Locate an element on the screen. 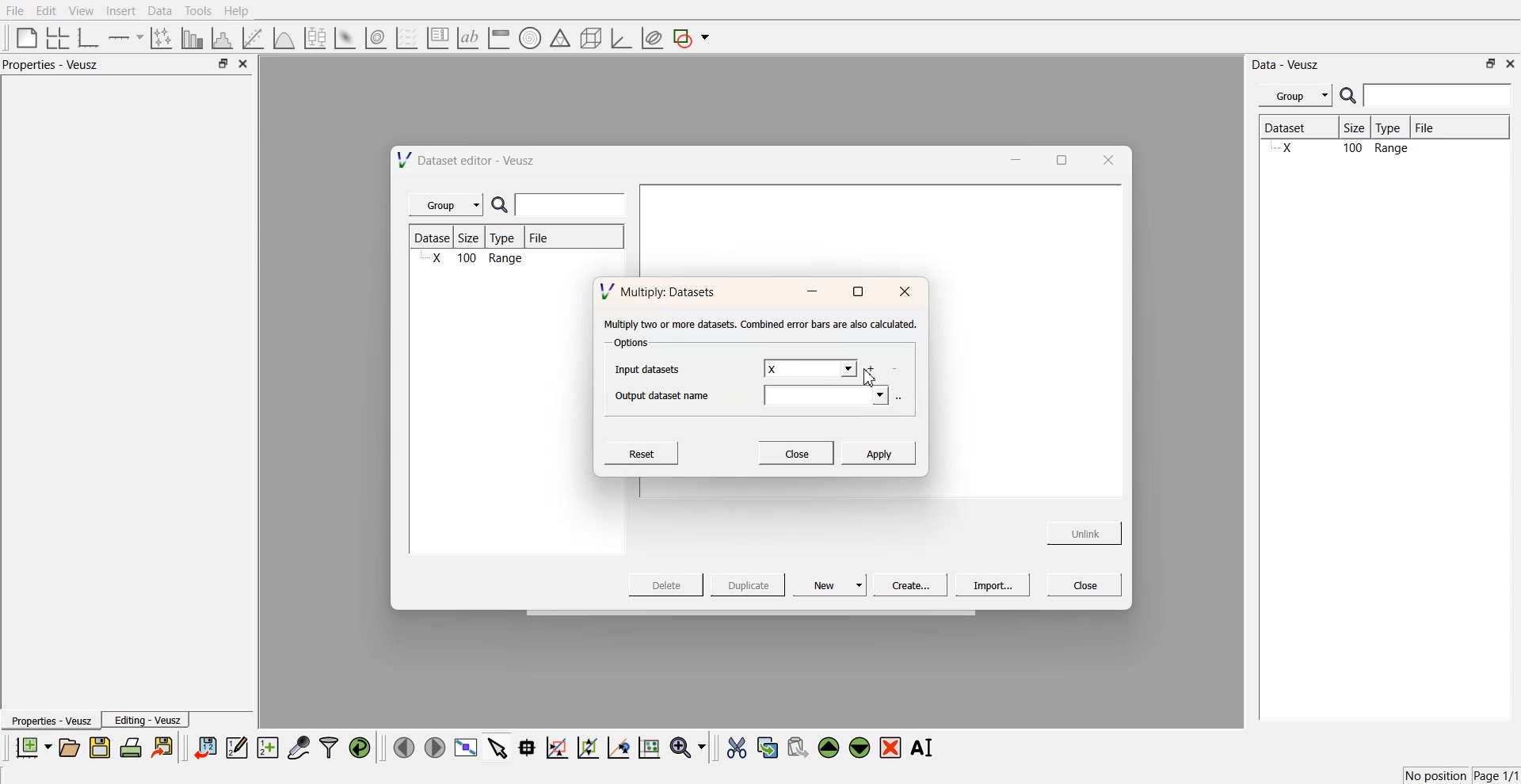 The width and height of the screenshot is (1521, 784). Reset is located at coordinates (644, 453).